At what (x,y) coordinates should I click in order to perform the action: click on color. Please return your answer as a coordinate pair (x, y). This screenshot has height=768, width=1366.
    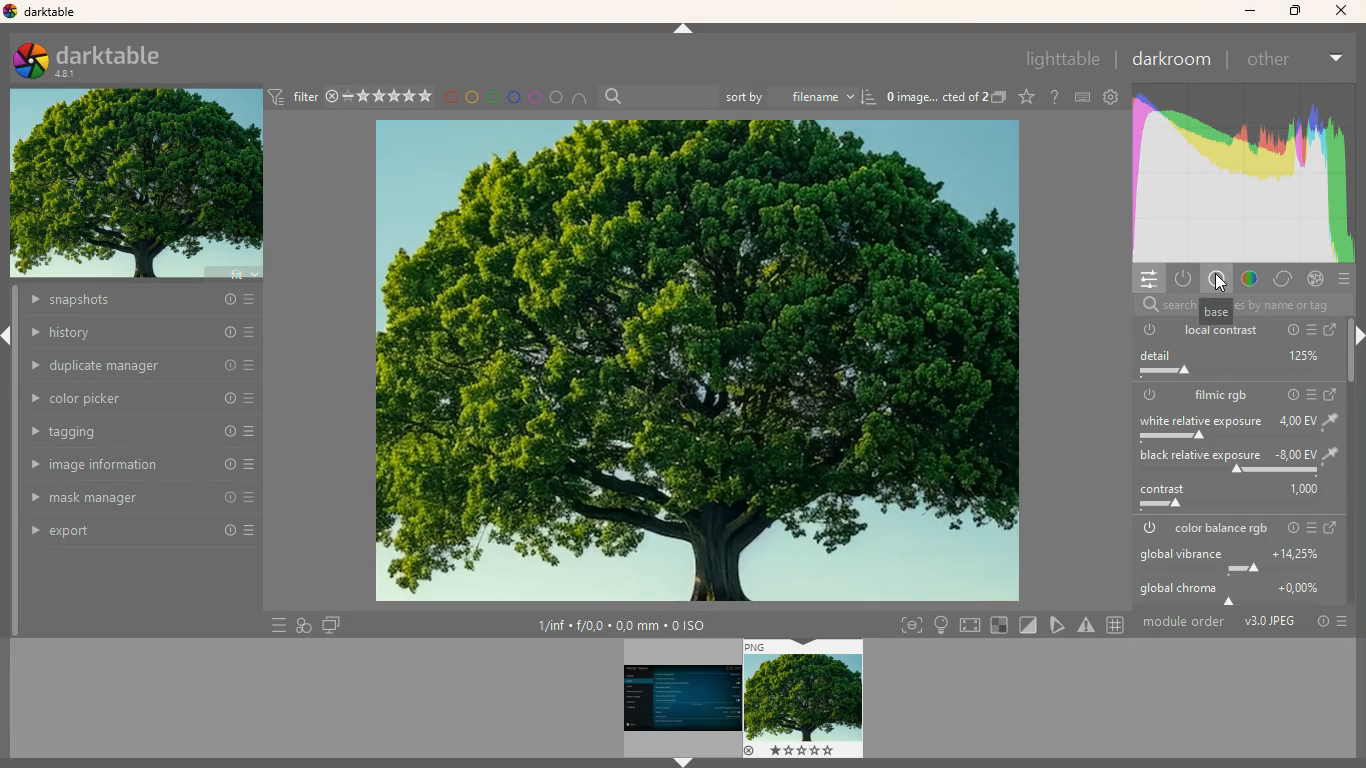
    Looking at the image, I should click on (1242, 172).